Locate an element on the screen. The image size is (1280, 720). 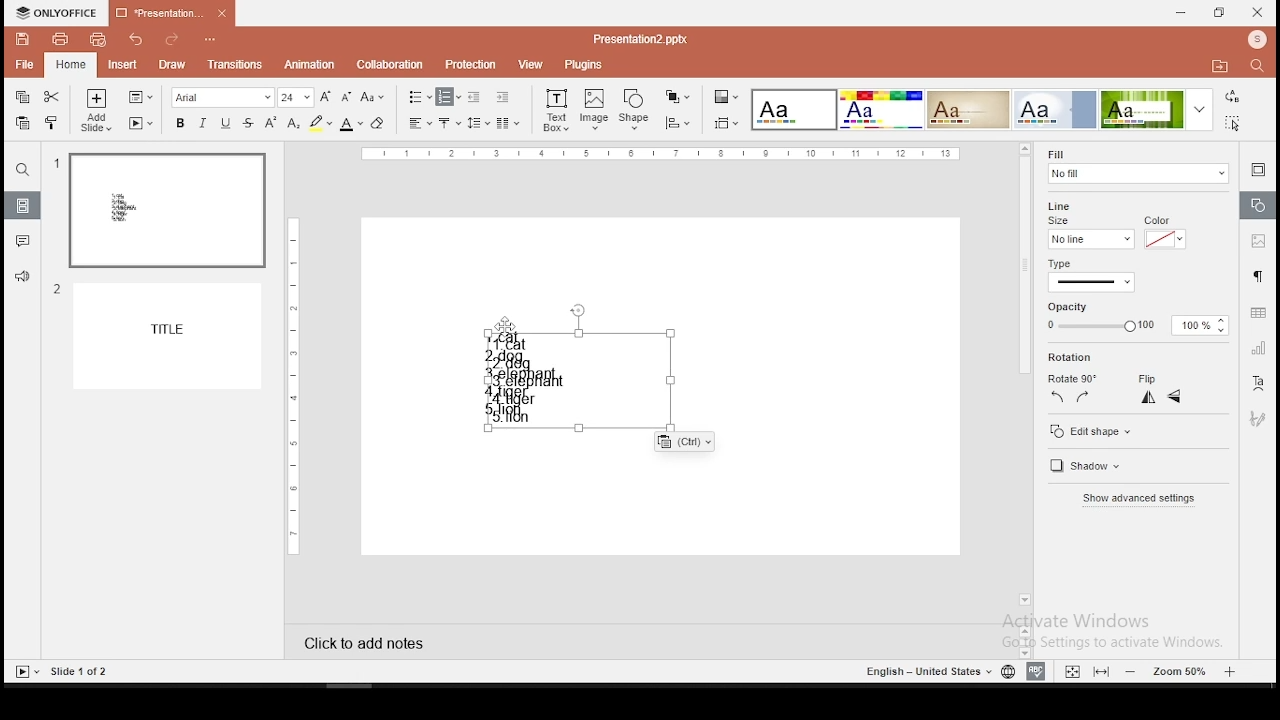
increase font size is located at coordinates (324, 96).